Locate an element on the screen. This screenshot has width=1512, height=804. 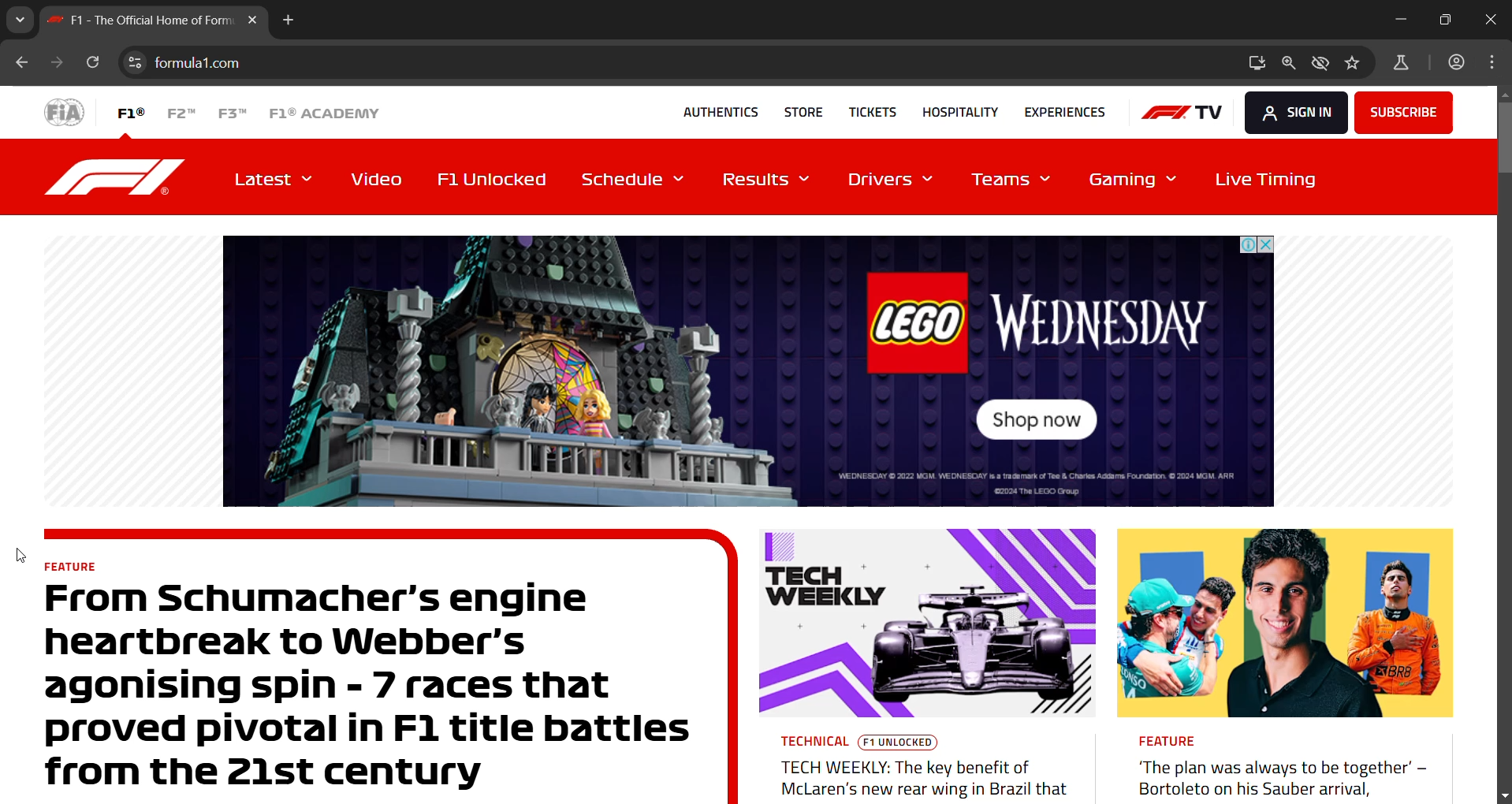
bookmark is located at coordinates (1356, 65).